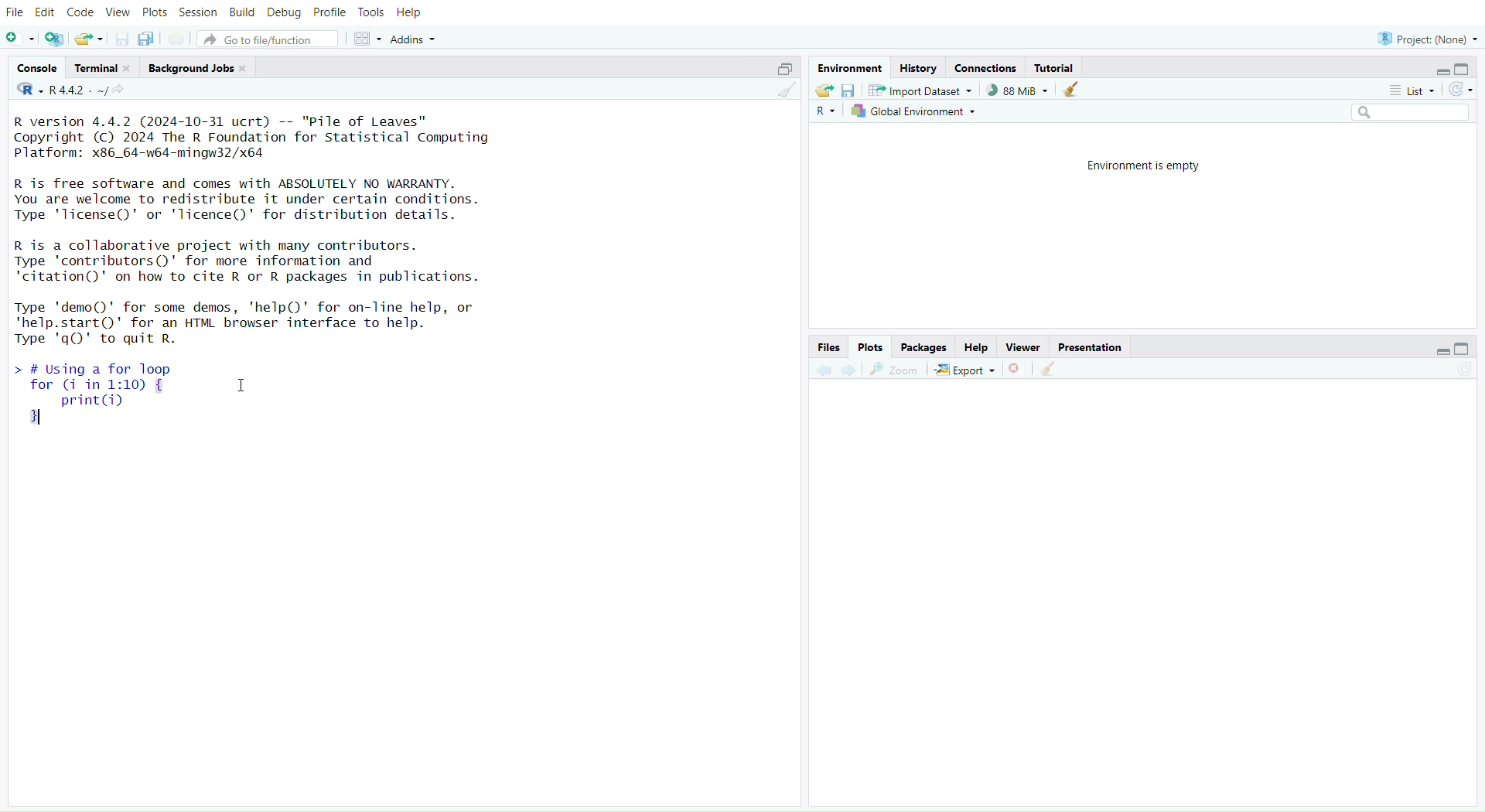  What do you see at coordinates (121, 39) in the screenshot?
I see `save current document` at bounding box center [121, 39].